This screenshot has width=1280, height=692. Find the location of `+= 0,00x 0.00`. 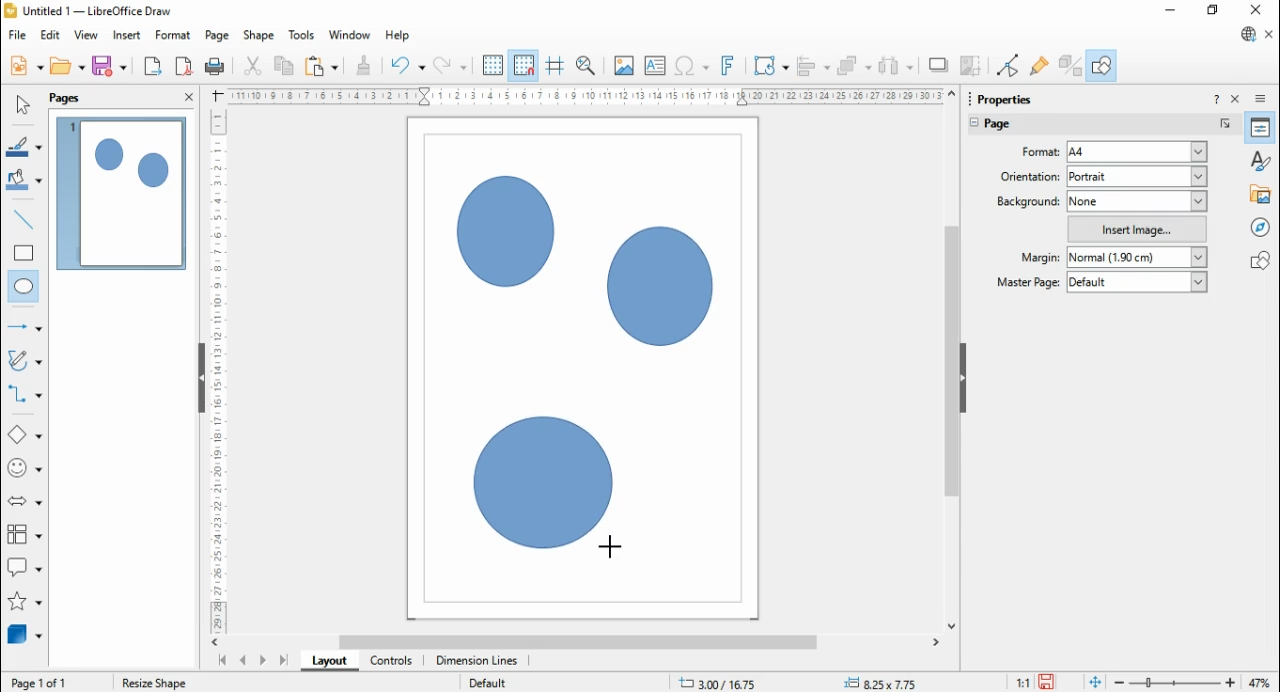

+= 0,00x 0.00 is located at coordinates (886, 682).